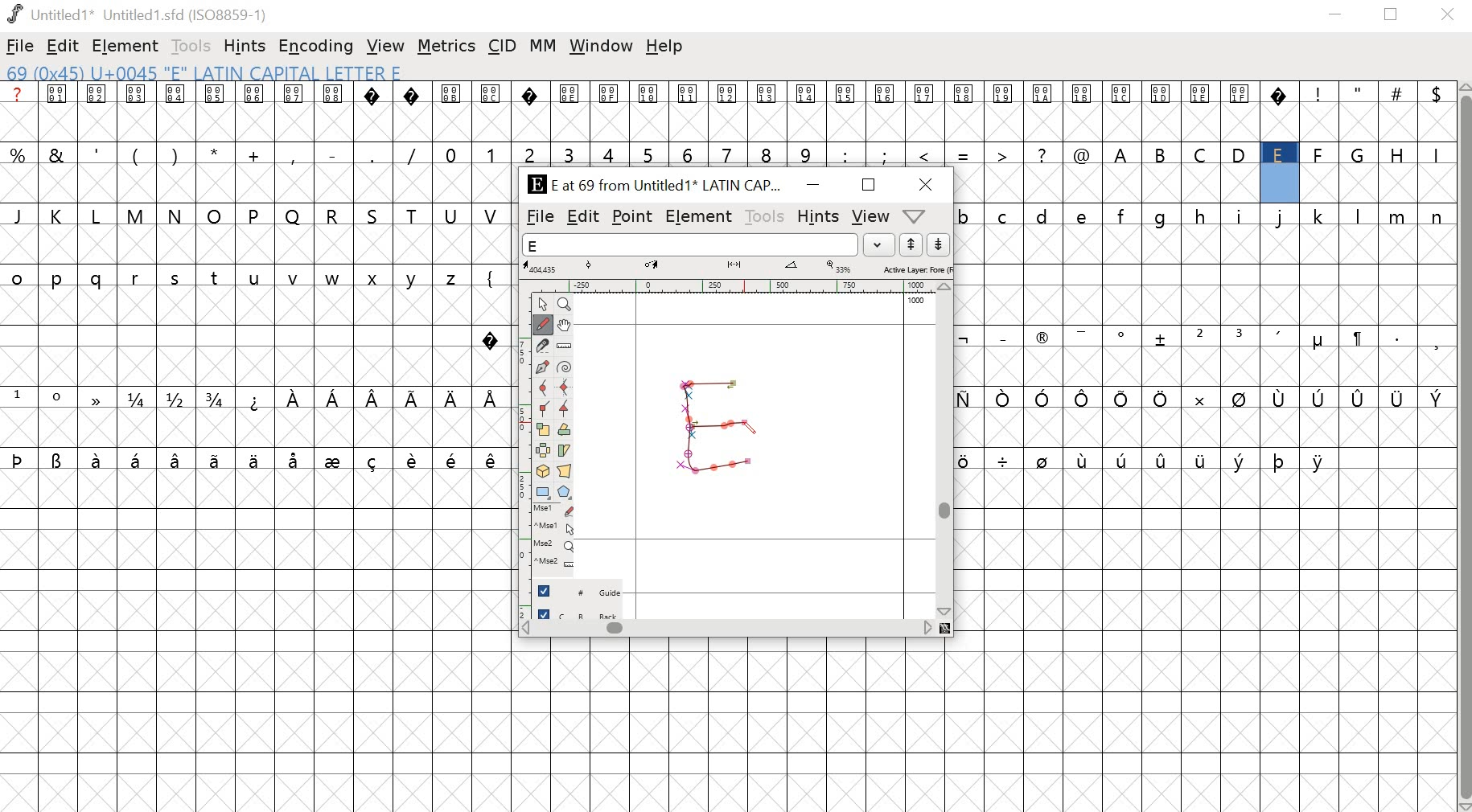  I want to click on Knife, so click(544, 346).